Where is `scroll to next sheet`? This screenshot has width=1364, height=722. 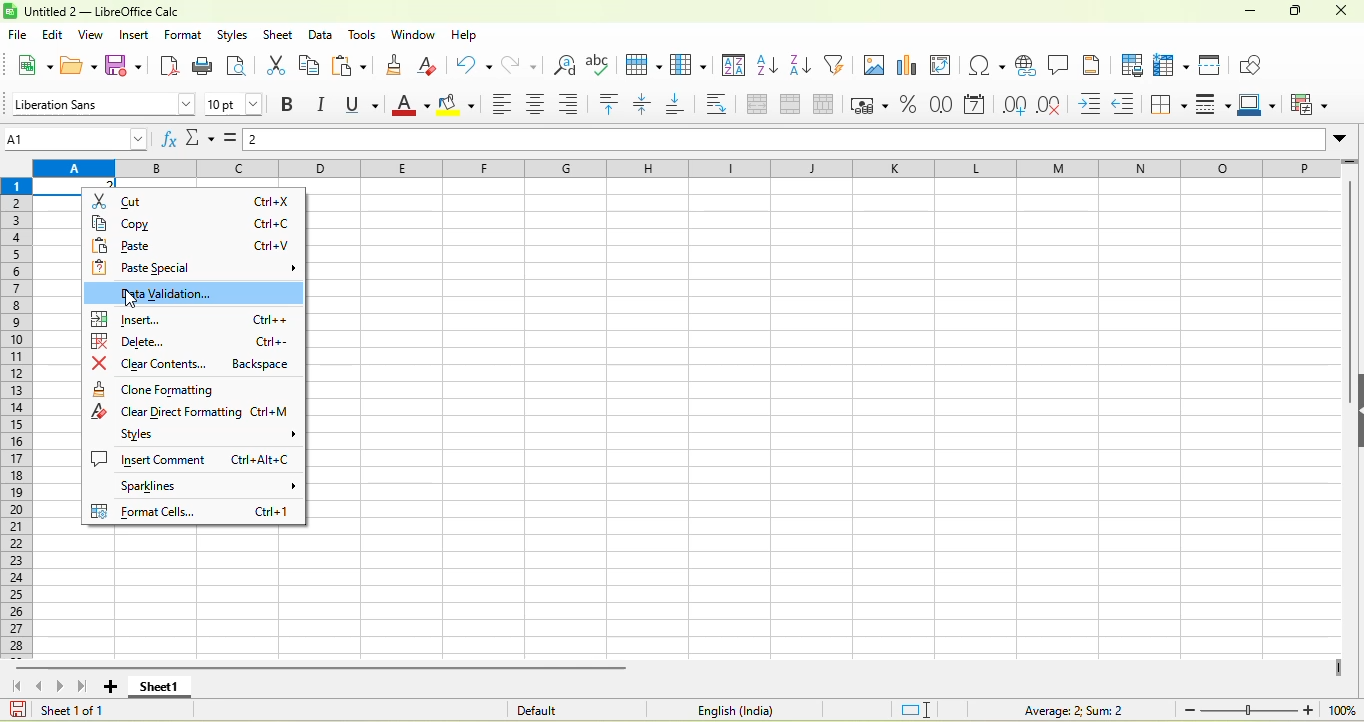 scroll to next sheet is located at coordinates (64, 685).